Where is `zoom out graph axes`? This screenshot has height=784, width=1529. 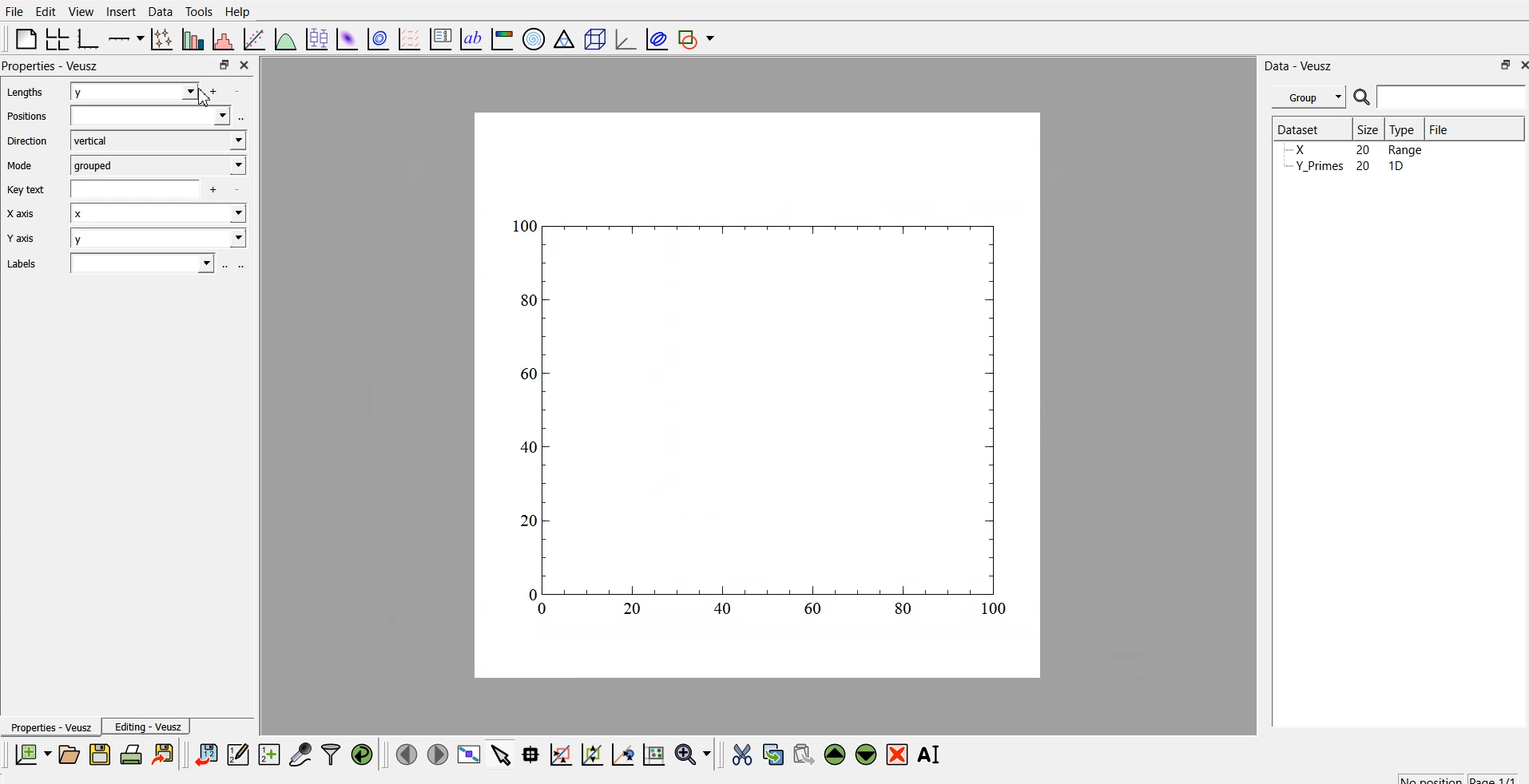
zoom out graph axes is located at coordinates (621, 754).